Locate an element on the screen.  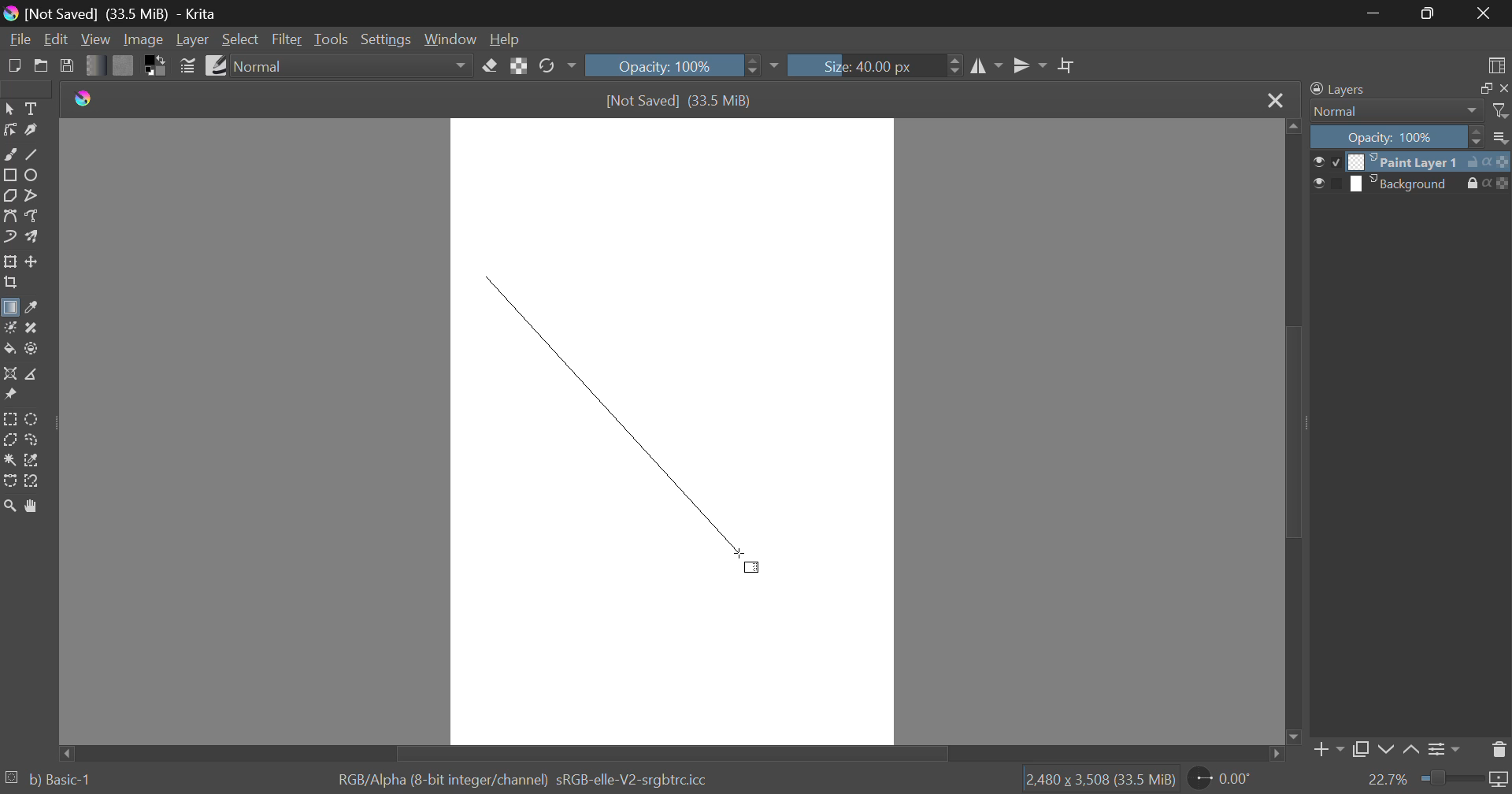
Enclose and Fill is located at coordinates (30, 349).